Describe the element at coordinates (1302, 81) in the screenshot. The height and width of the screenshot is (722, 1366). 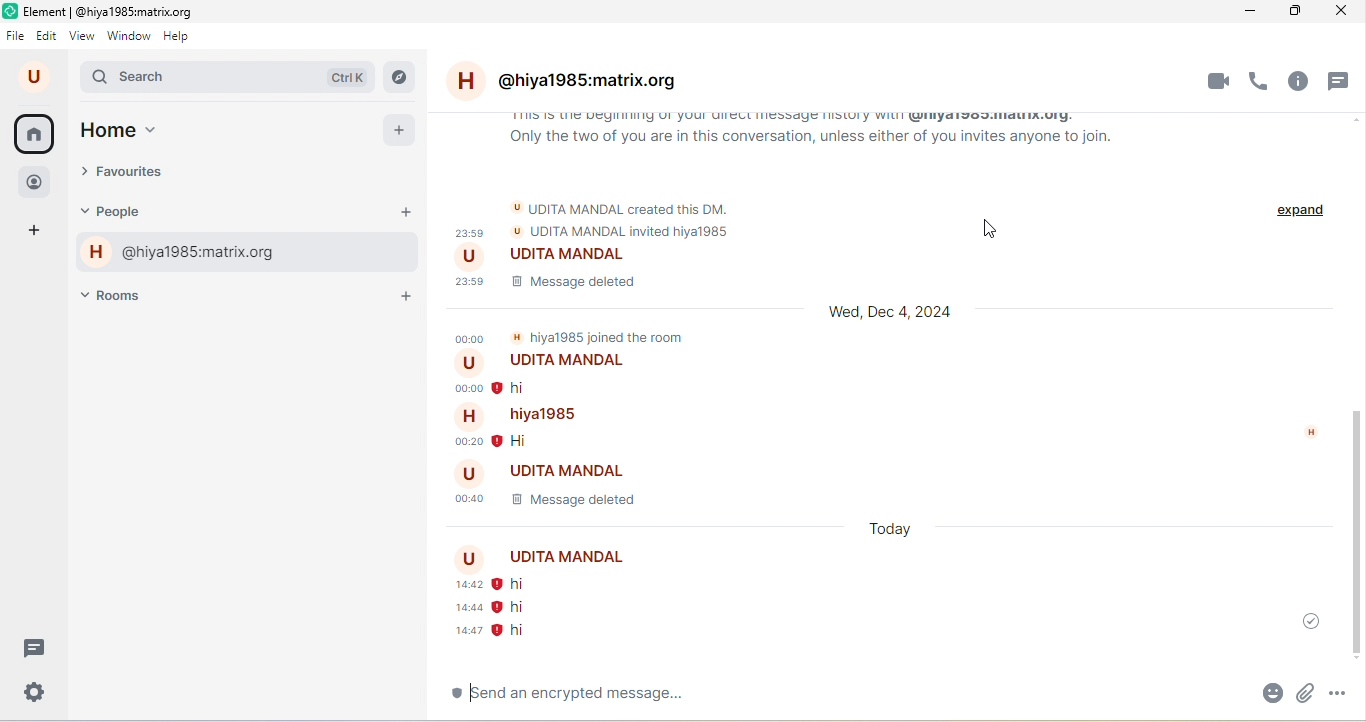
I see `room info` at that location.